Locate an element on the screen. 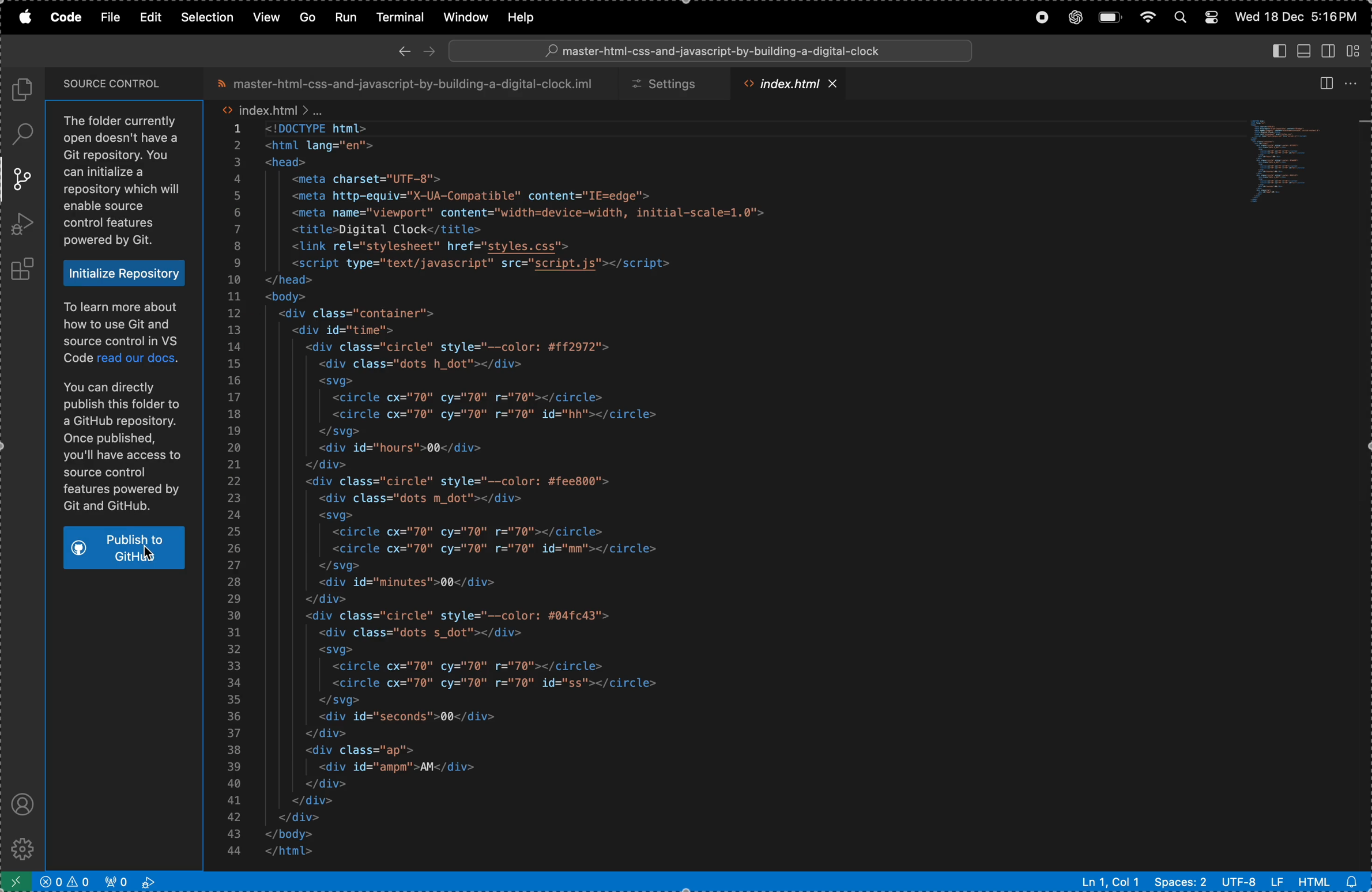 Image resolution: width=1372 pixels, height=892 pixels. html alert is located at coordinates (1325, 880).